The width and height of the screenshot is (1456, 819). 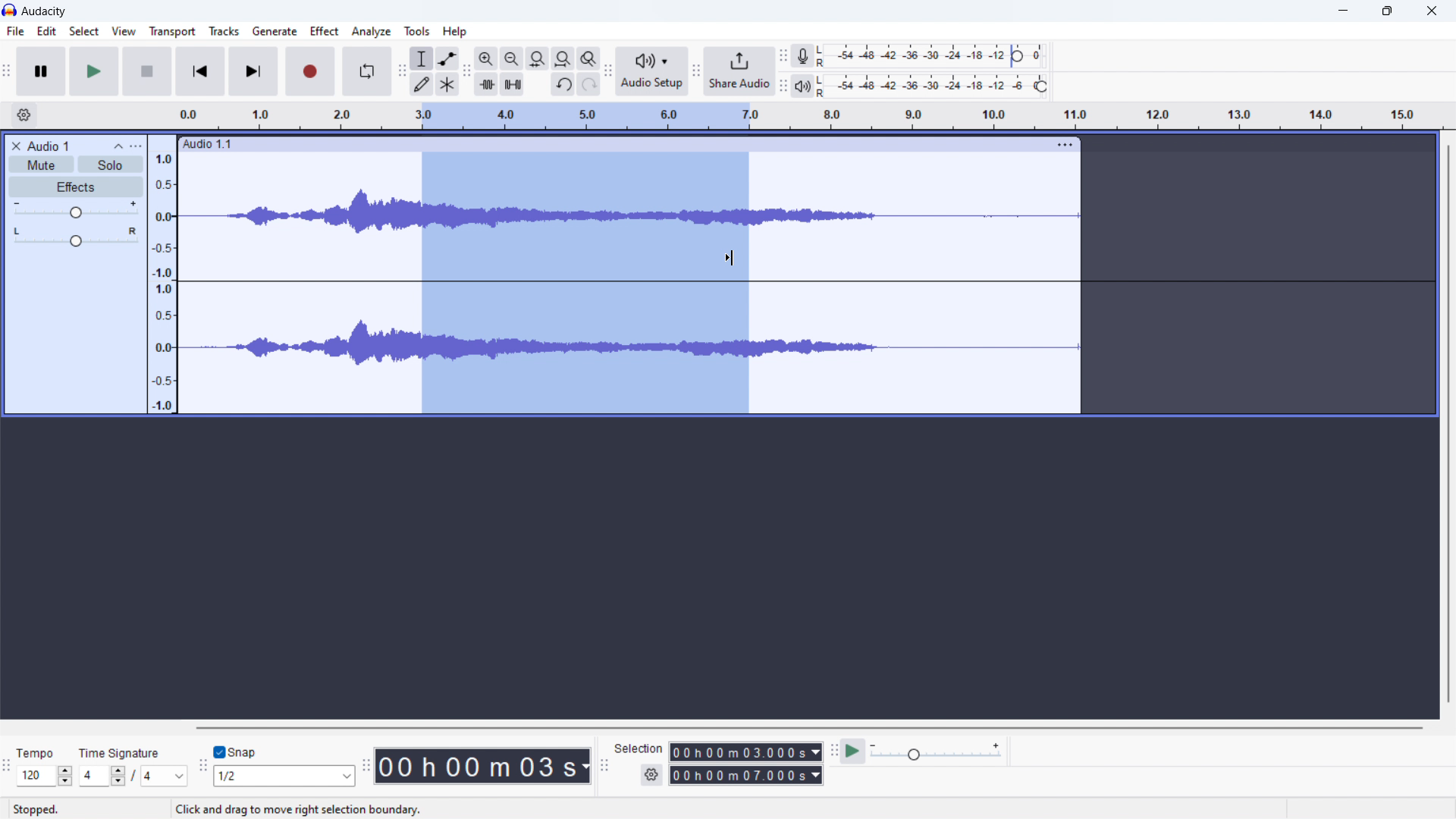 I want to click on fill selection to width, so click(x=538, y=58).